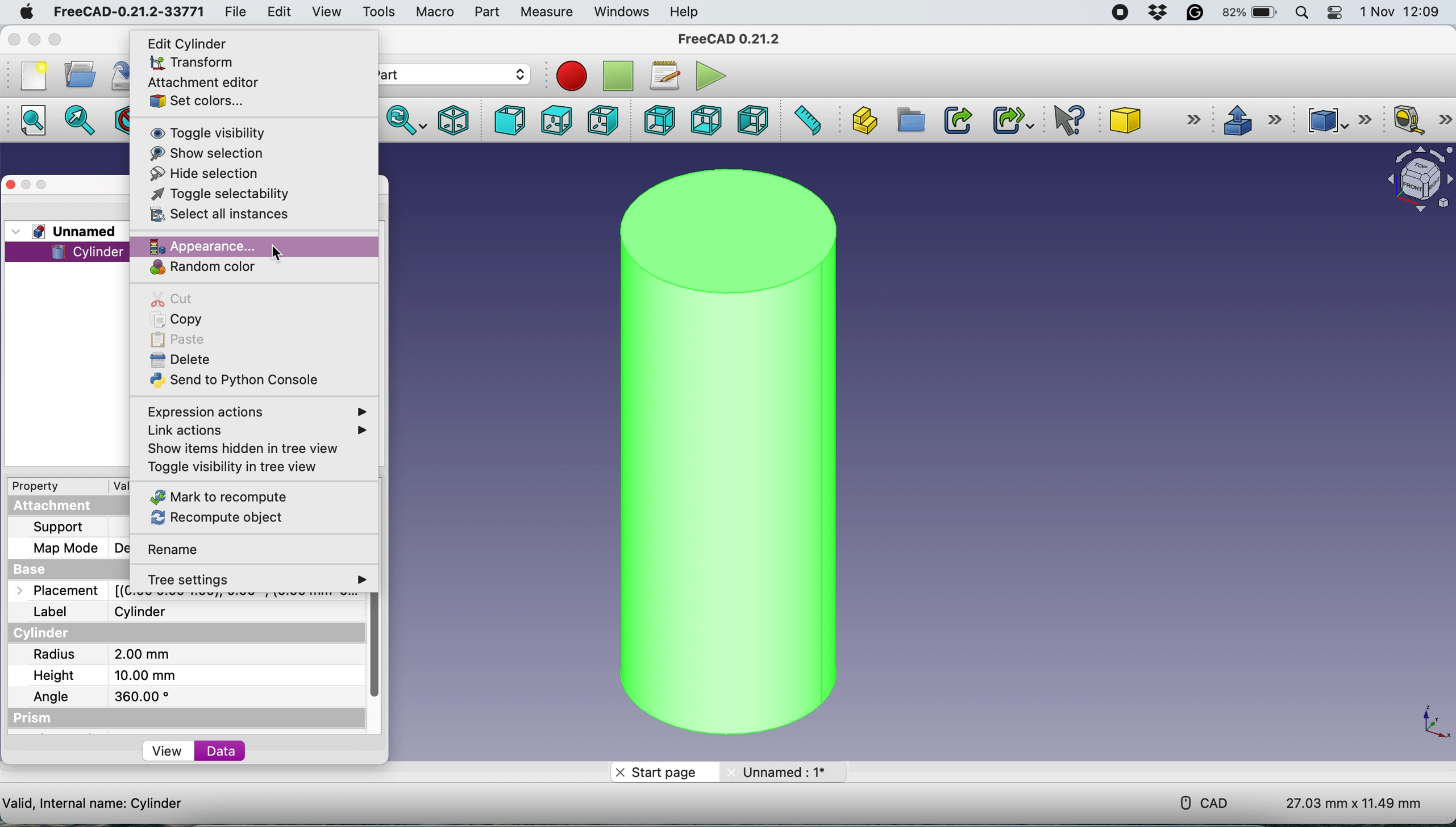 Image resolution: width=1456 pixels, height=827 pixels. I want to click on show selection, so click(210, 153).